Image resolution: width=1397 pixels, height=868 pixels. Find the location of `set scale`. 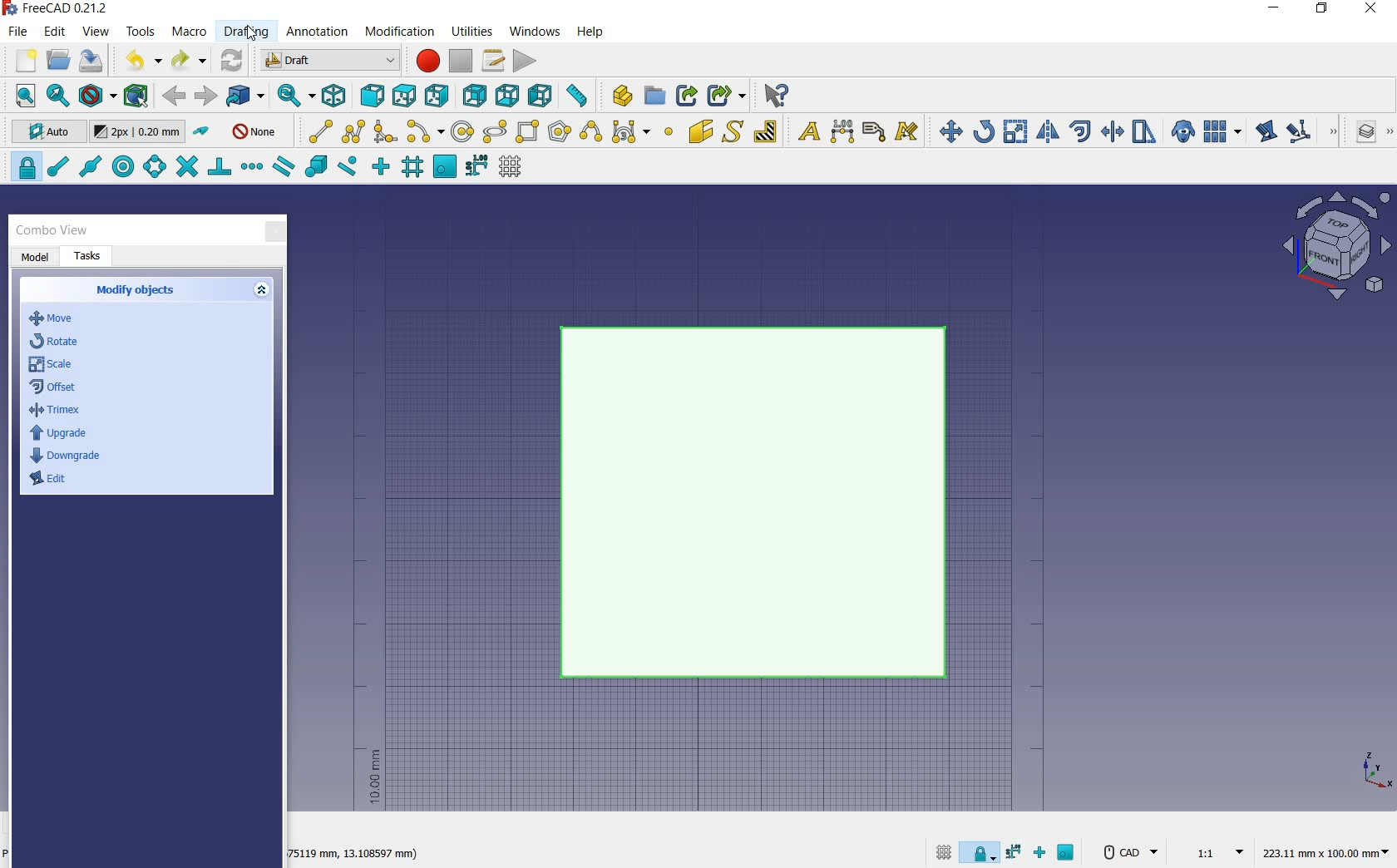

set scale is located at coordinates (1214, 851).